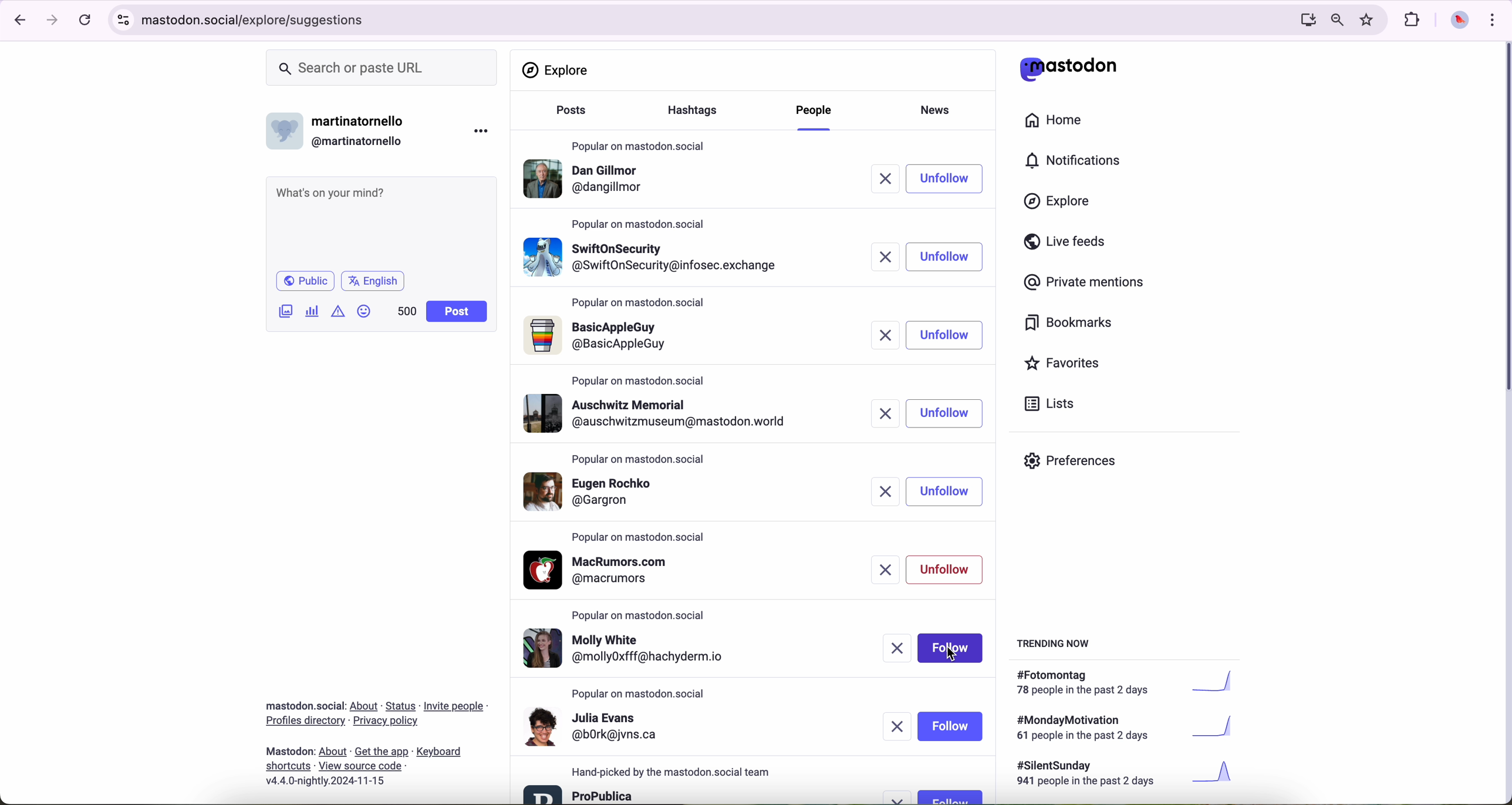  I want to click on profile, so click(601, 336).